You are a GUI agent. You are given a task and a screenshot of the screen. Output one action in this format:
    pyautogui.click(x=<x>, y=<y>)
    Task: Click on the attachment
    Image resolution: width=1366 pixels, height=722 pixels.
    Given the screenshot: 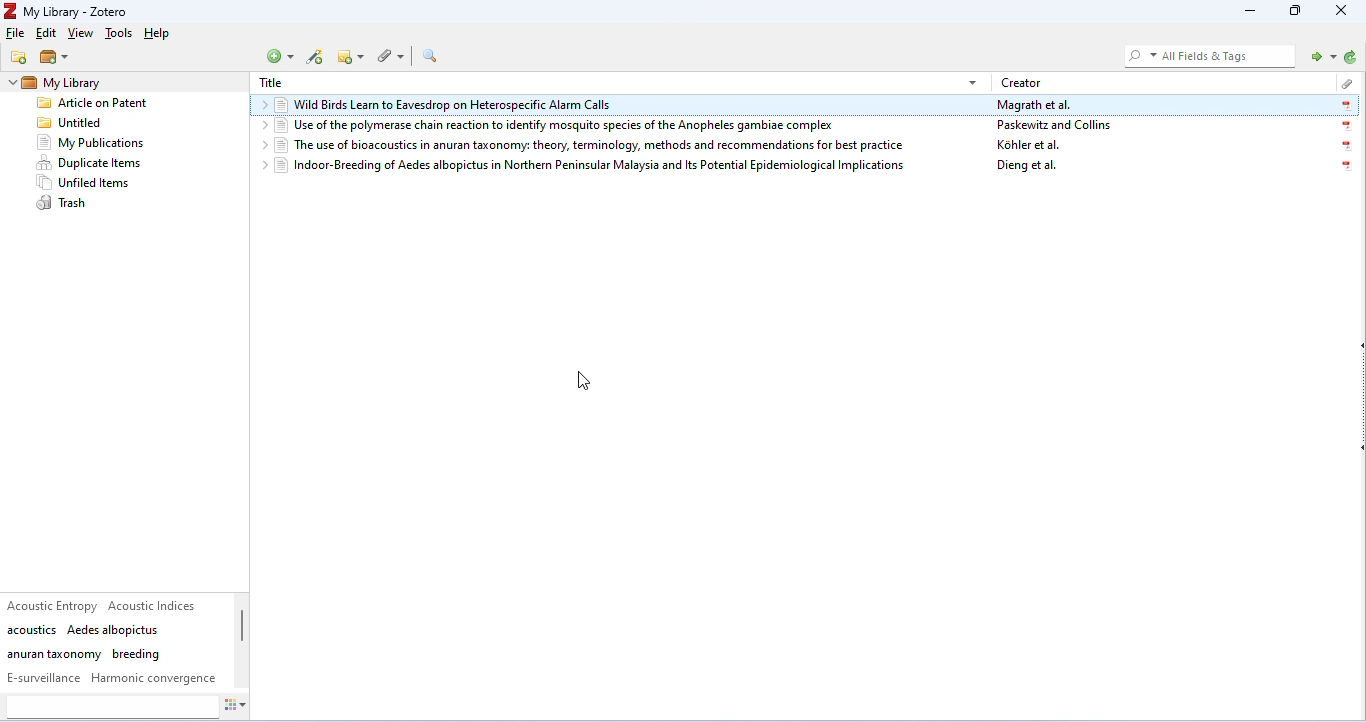 What is the action you would take?
    pyautogui.click(x=1343, y=81)
    